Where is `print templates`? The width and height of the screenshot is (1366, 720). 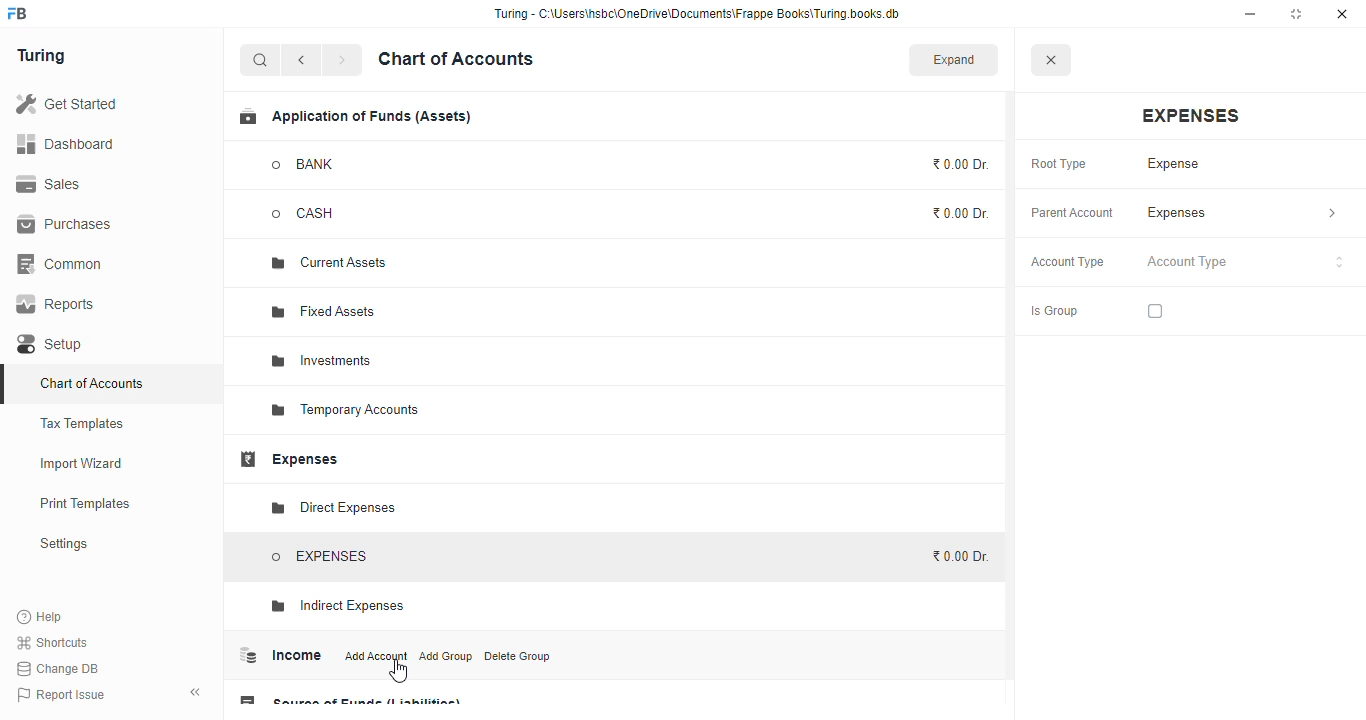 print templates is located at coordinates (85, 503).